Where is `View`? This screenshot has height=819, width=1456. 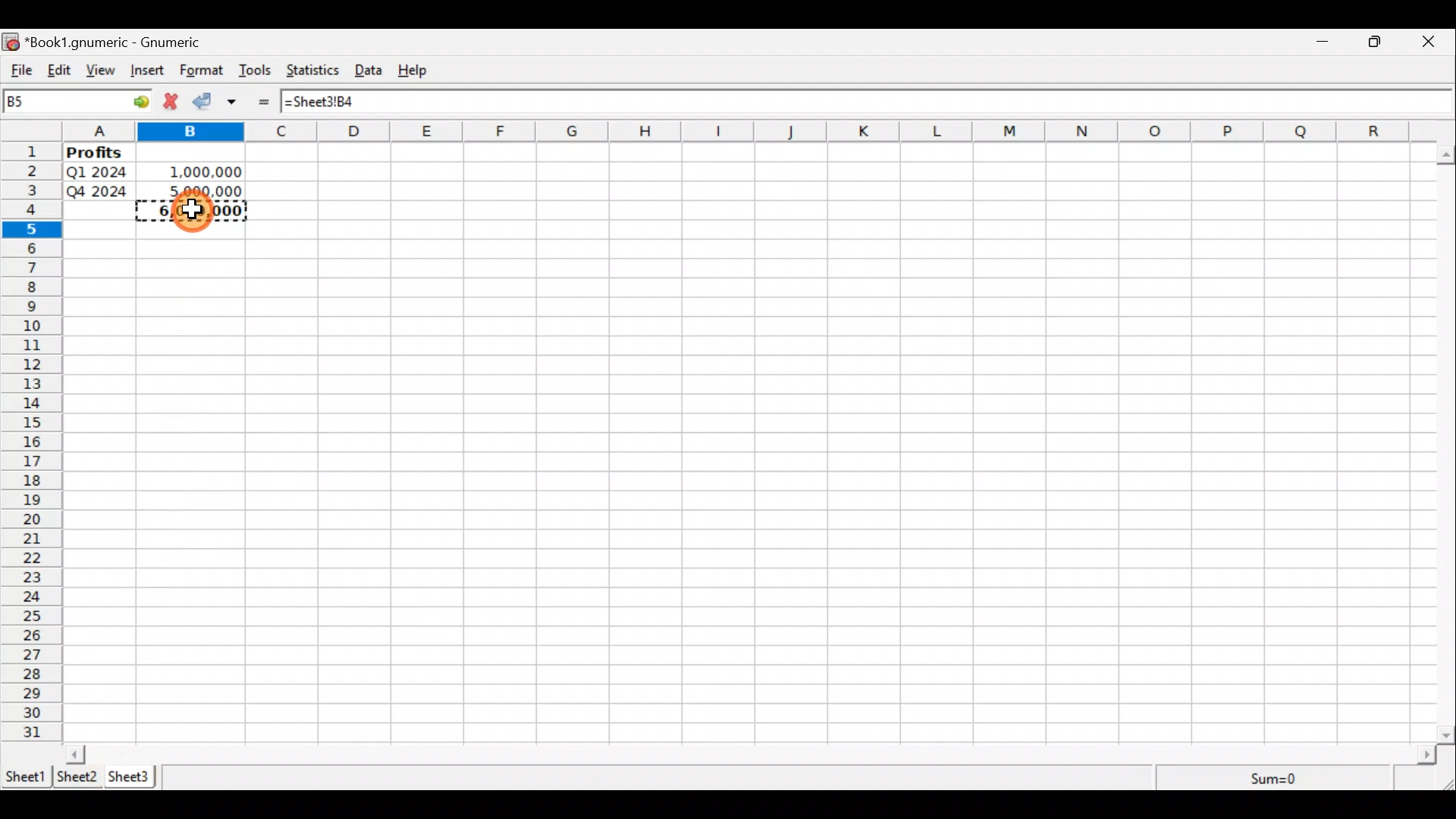 View is located at coordinates (105, 71).